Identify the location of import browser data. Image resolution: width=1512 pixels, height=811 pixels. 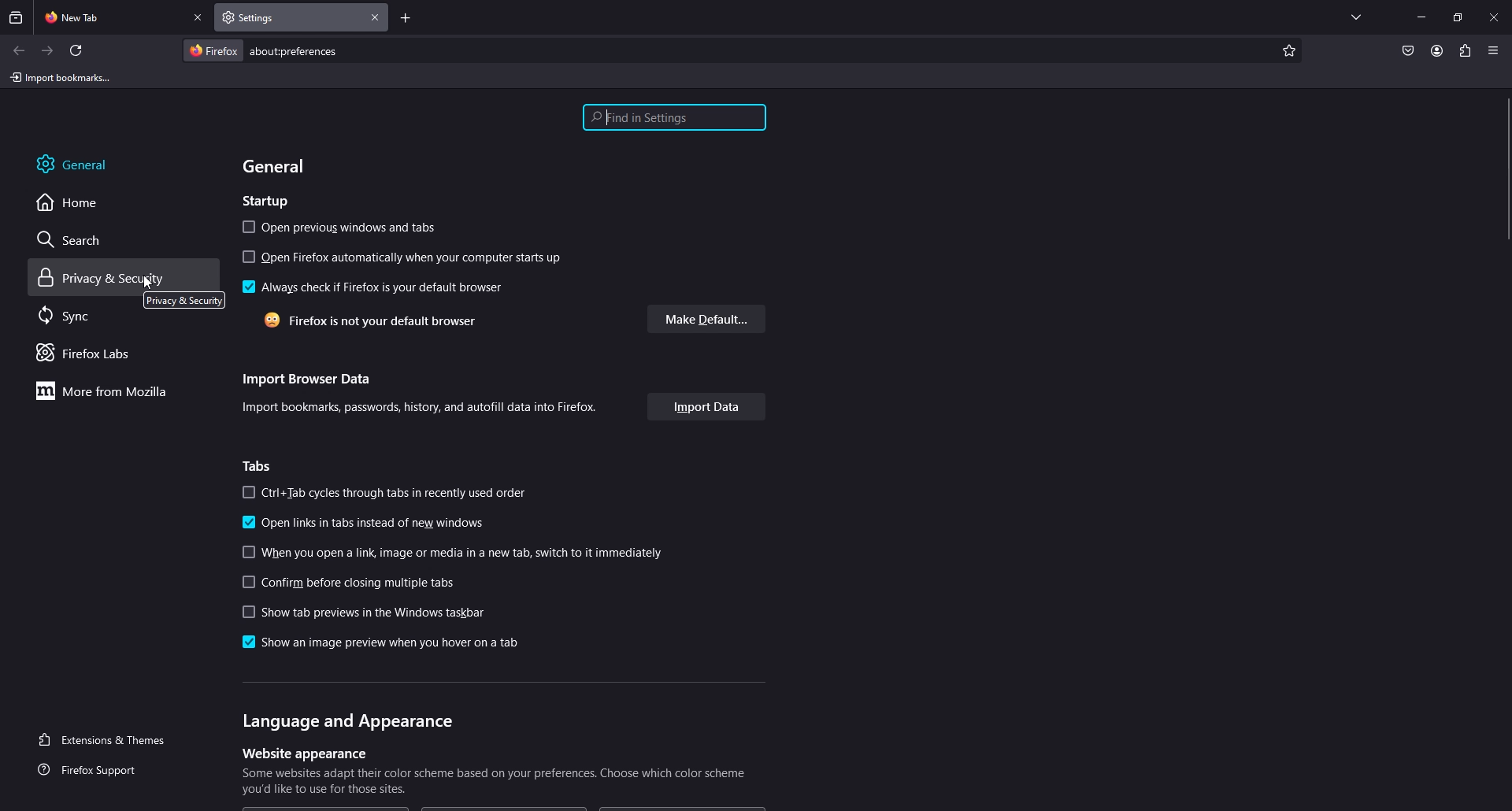
(303, 376).